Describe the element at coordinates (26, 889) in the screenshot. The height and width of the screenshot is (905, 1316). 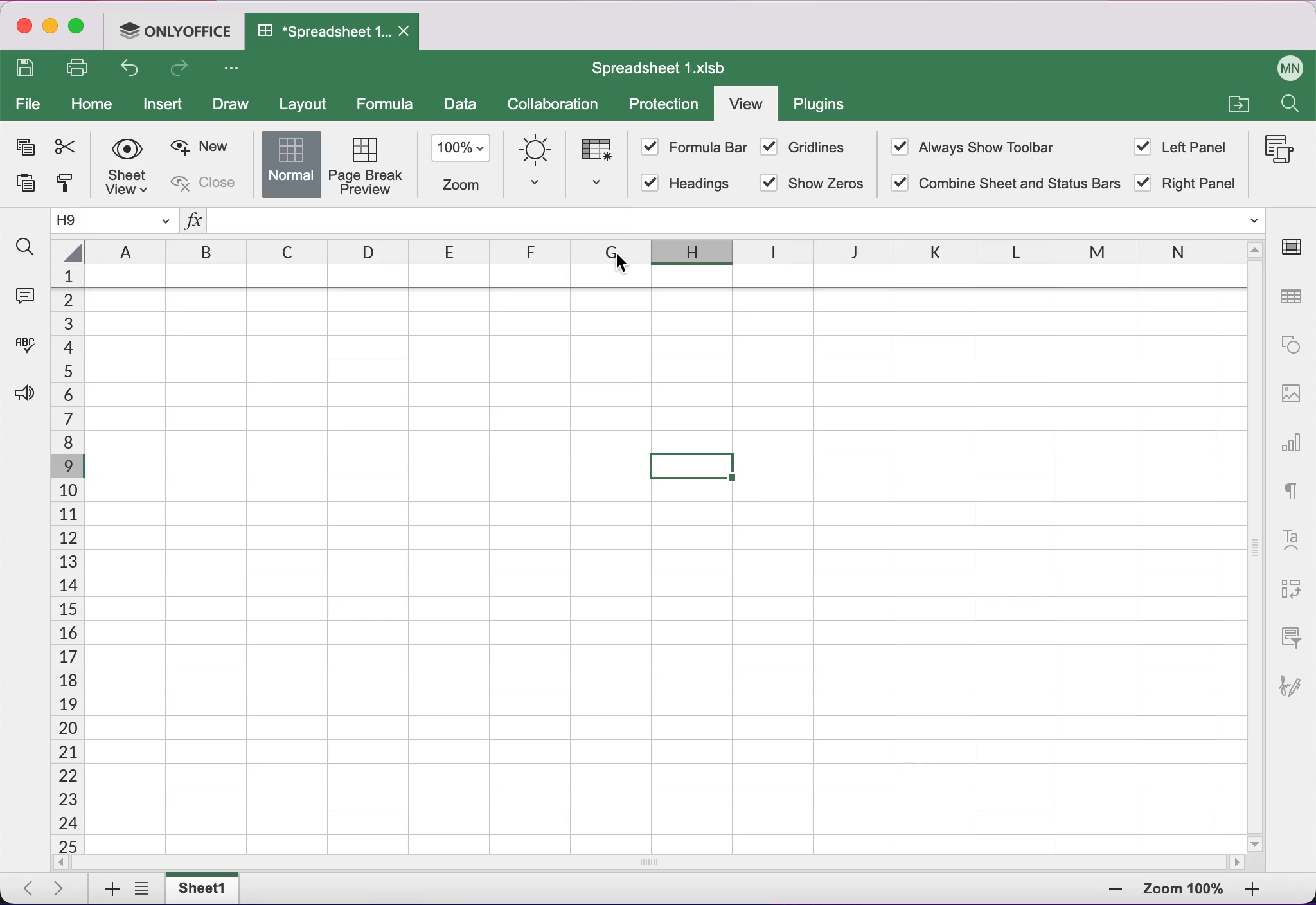
I see `previous tab` at that location.